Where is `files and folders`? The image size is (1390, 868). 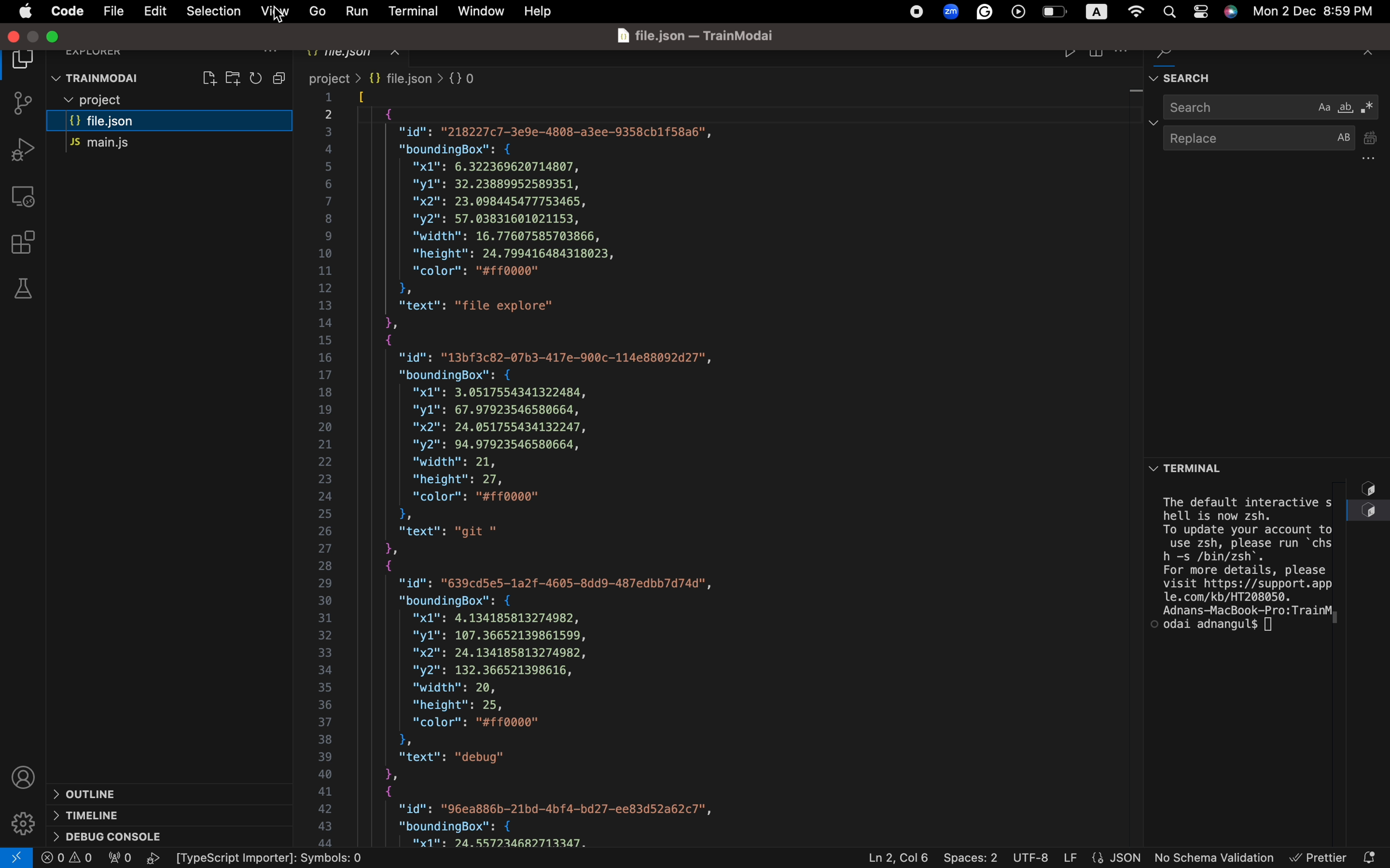
files and folders is located at coordinates (169, 100).